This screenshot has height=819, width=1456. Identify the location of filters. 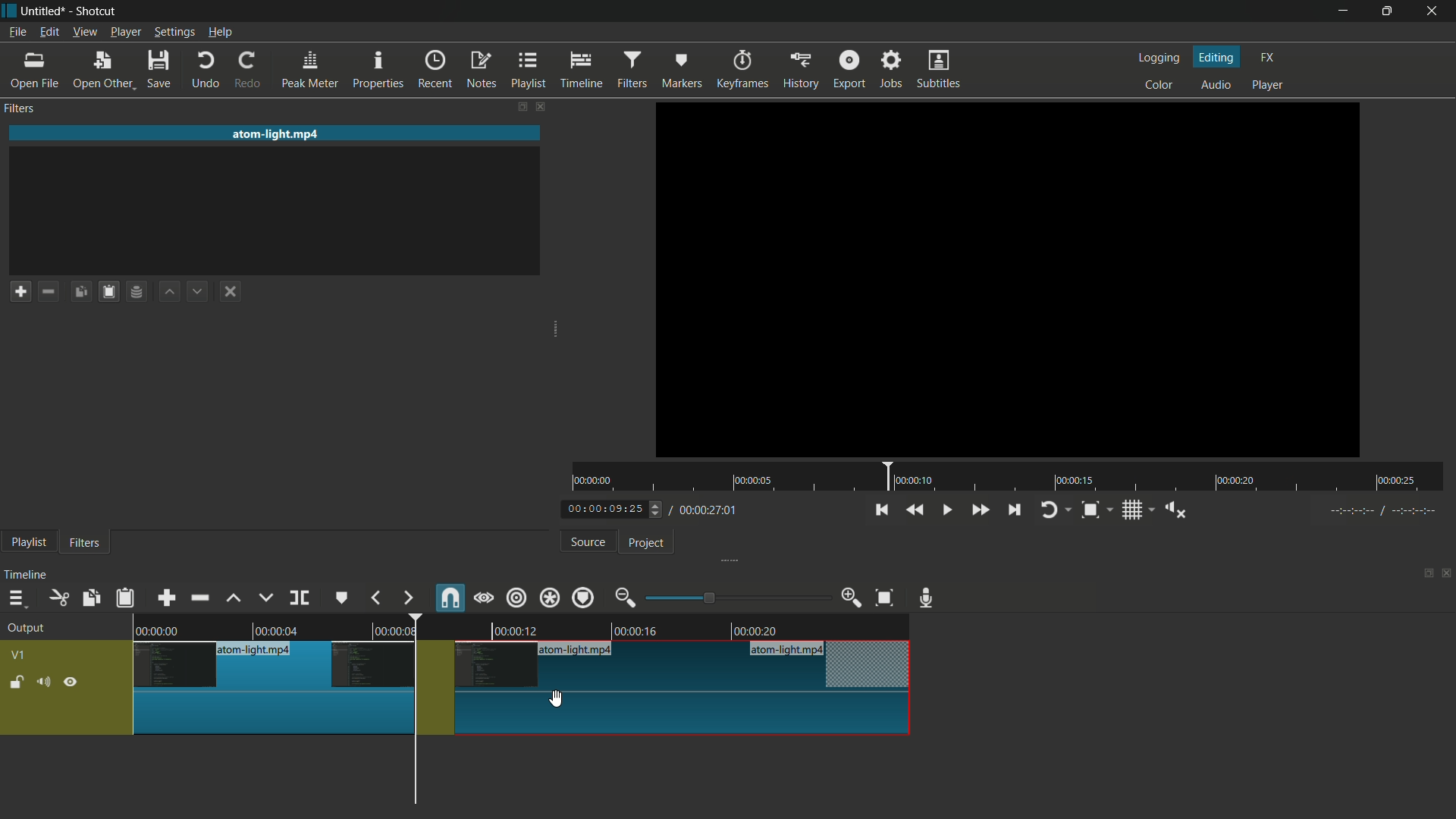
(85, 544).